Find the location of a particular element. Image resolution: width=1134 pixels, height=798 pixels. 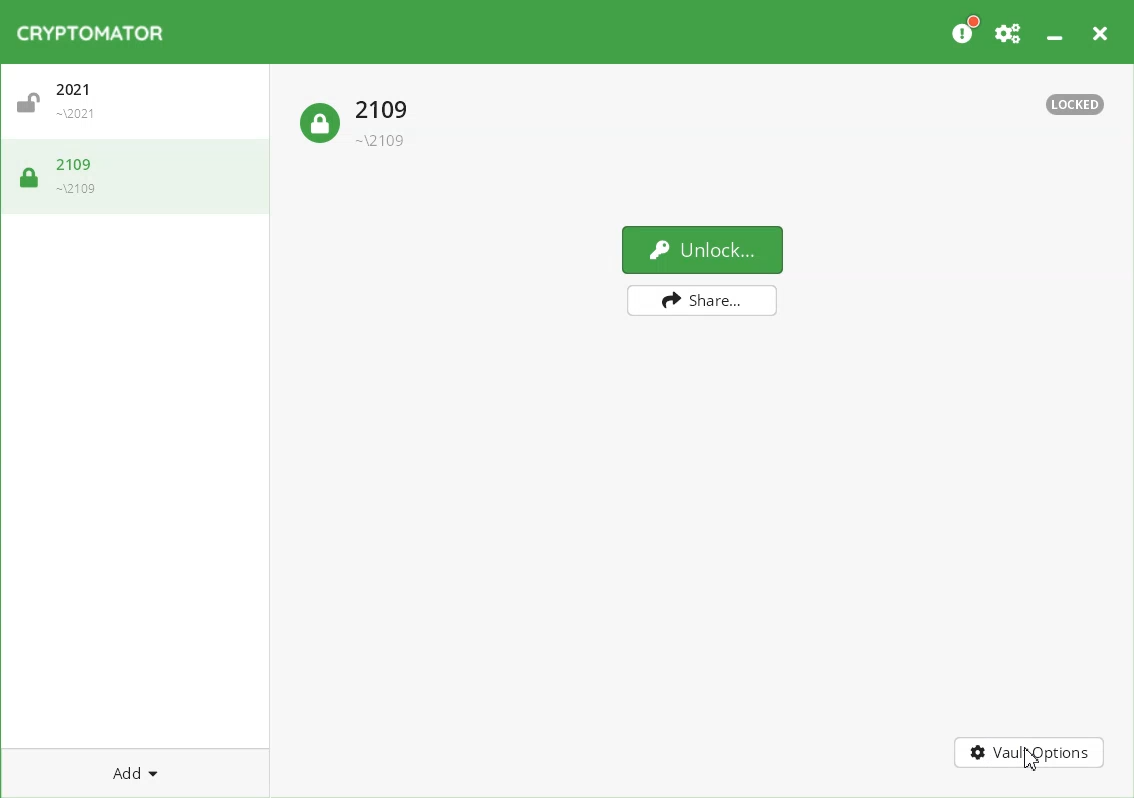

Vault Options is located at coordinates (1031, 754).